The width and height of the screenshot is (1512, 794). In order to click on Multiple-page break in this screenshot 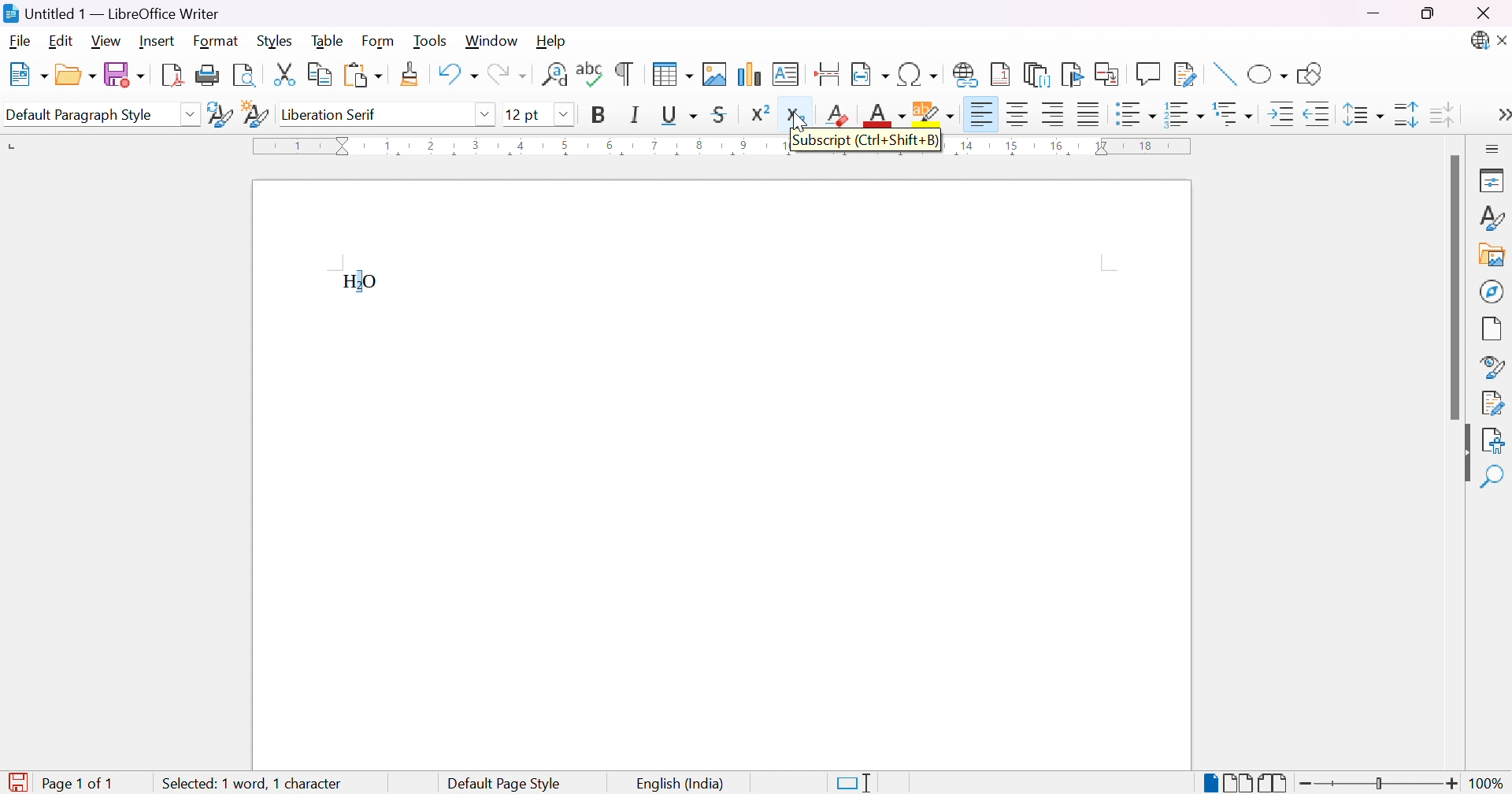, I will do `click(1237, 785)`.